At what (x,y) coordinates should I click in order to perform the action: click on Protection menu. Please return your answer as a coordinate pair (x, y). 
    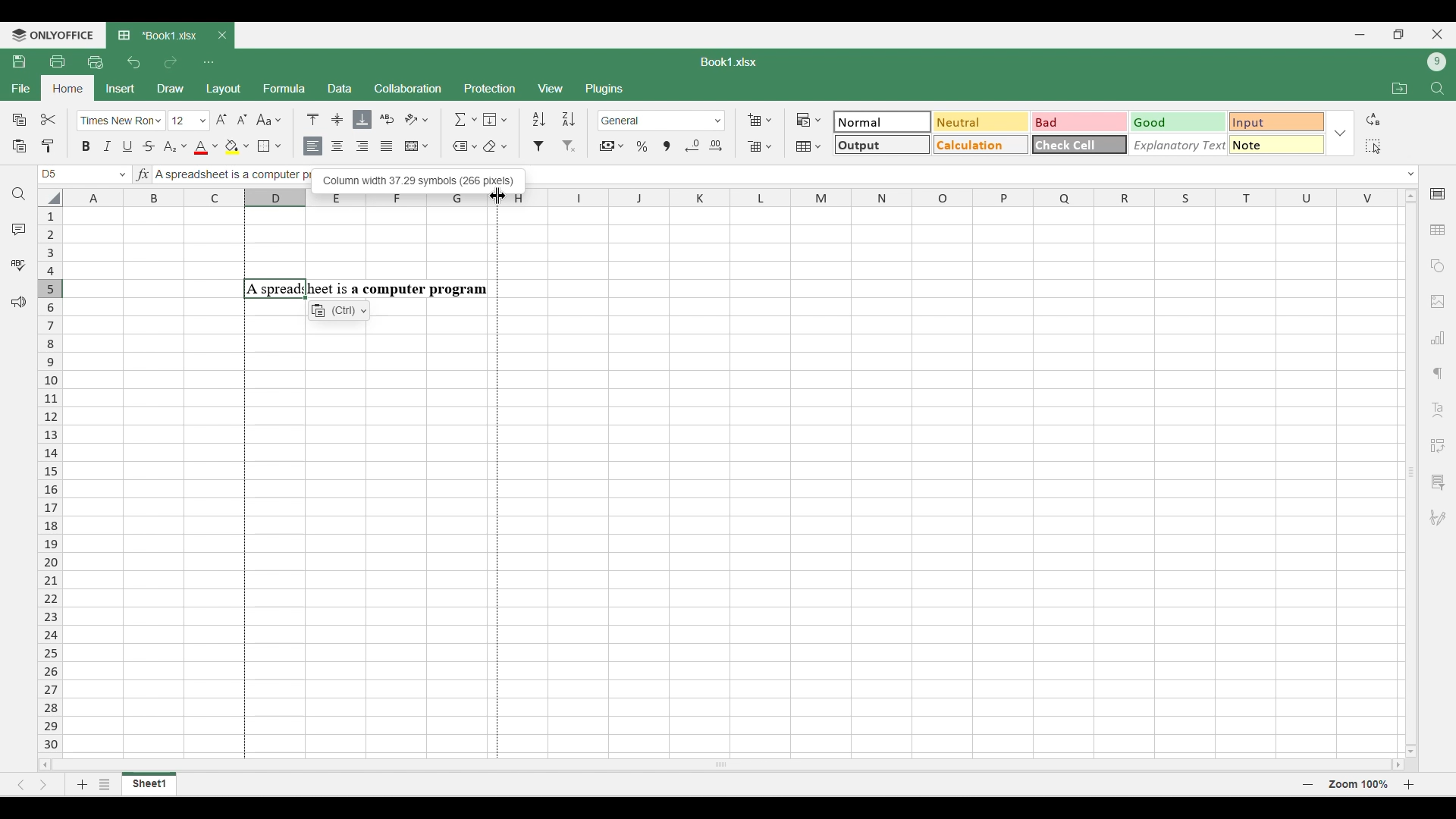
    Looking at the image, I should click on (489, 88).